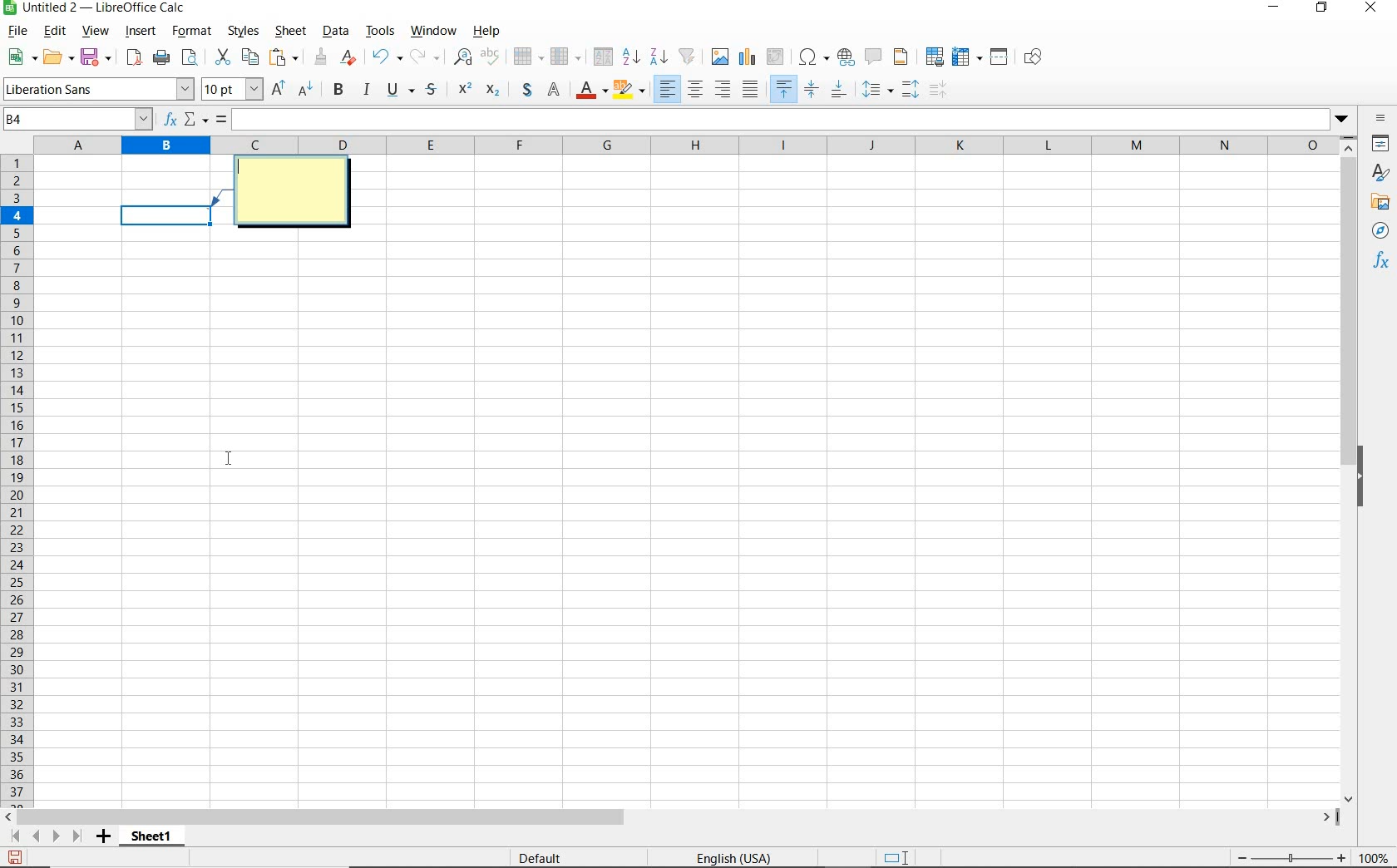  Describe the element at coordinates (461, 87) in the screenshot. I see `Superscript: Used to write exponents` at that location.